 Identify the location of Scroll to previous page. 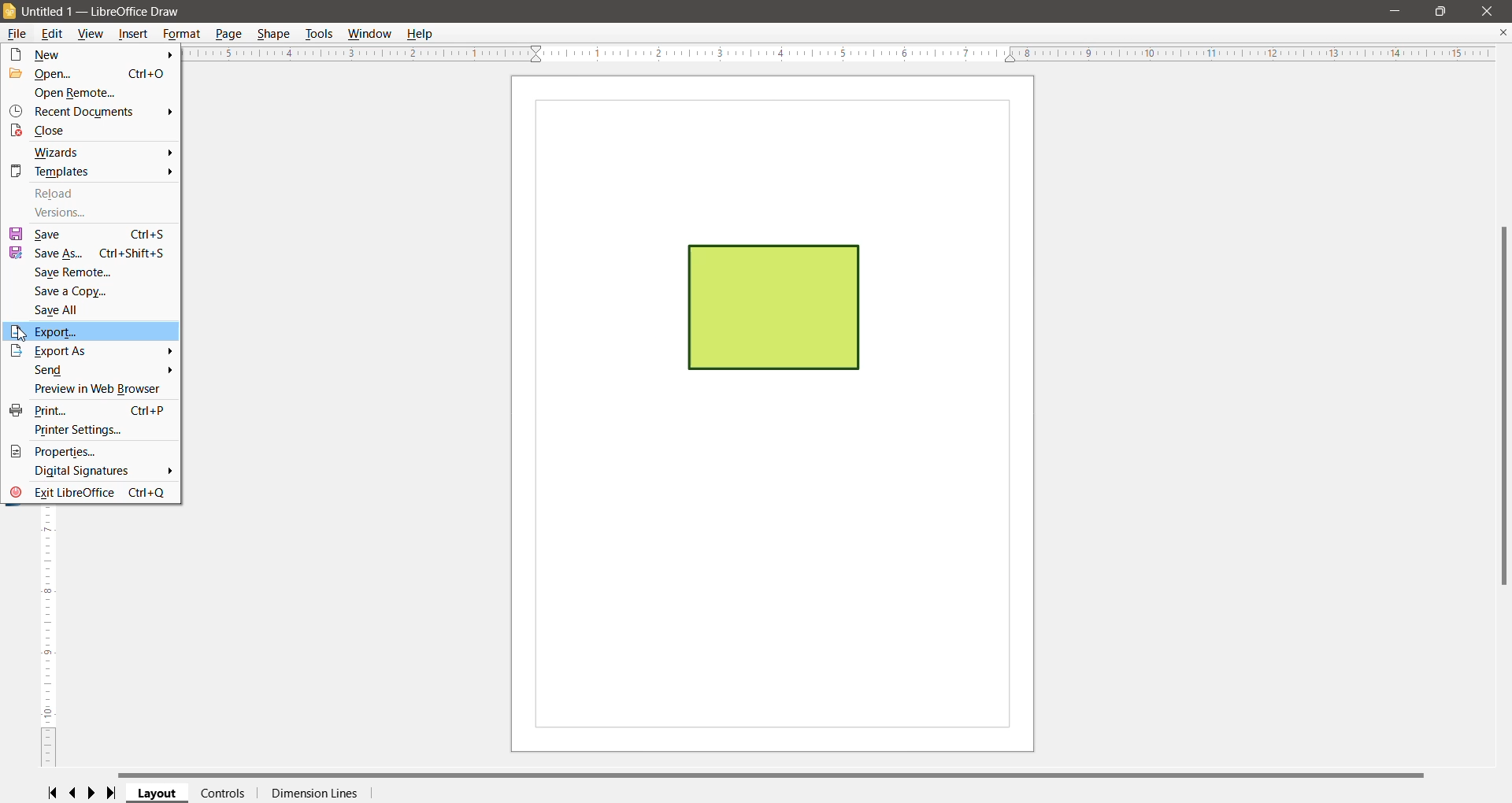
(74, 794).